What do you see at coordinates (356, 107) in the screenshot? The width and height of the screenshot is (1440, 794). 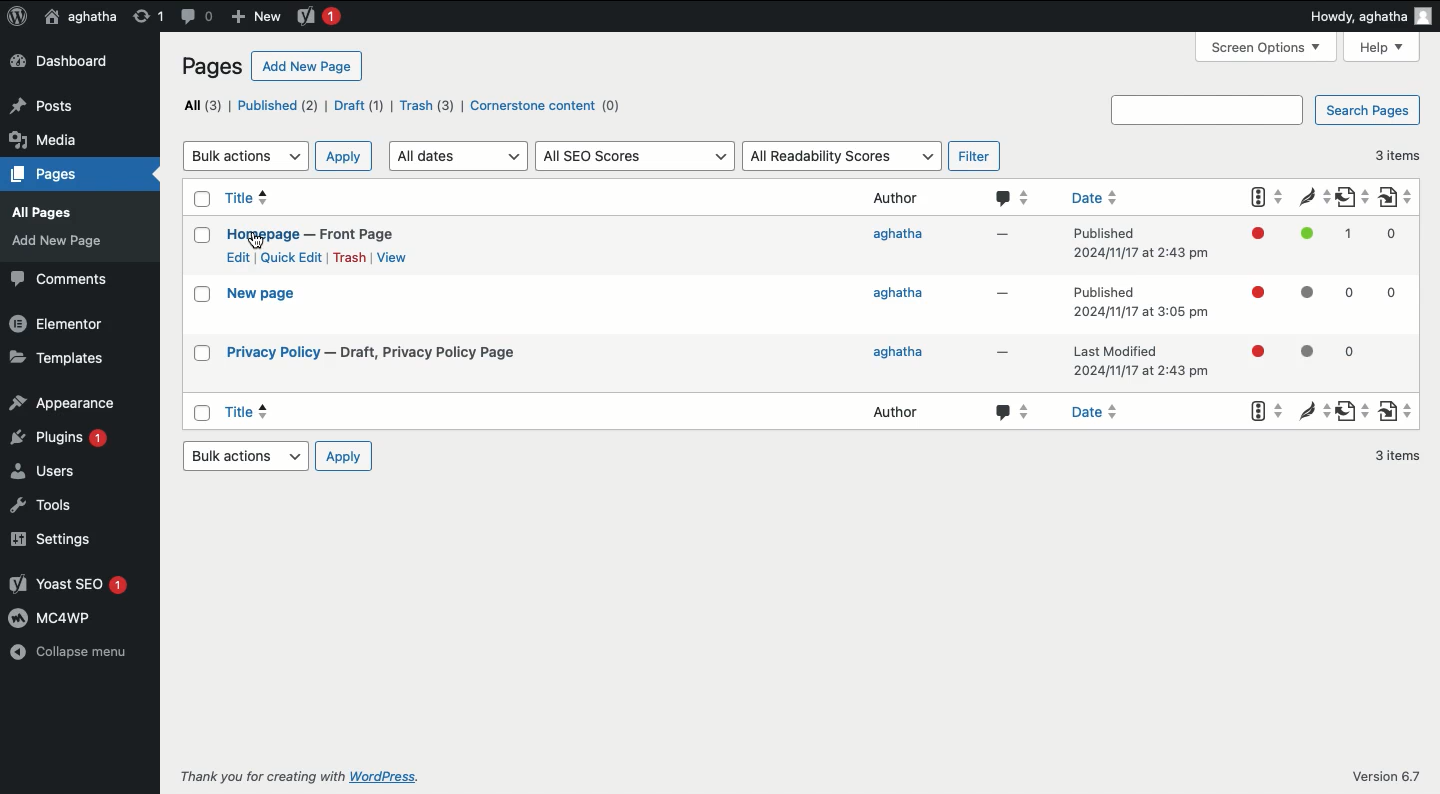 I see `Draft` at bounding box center [356, 107].